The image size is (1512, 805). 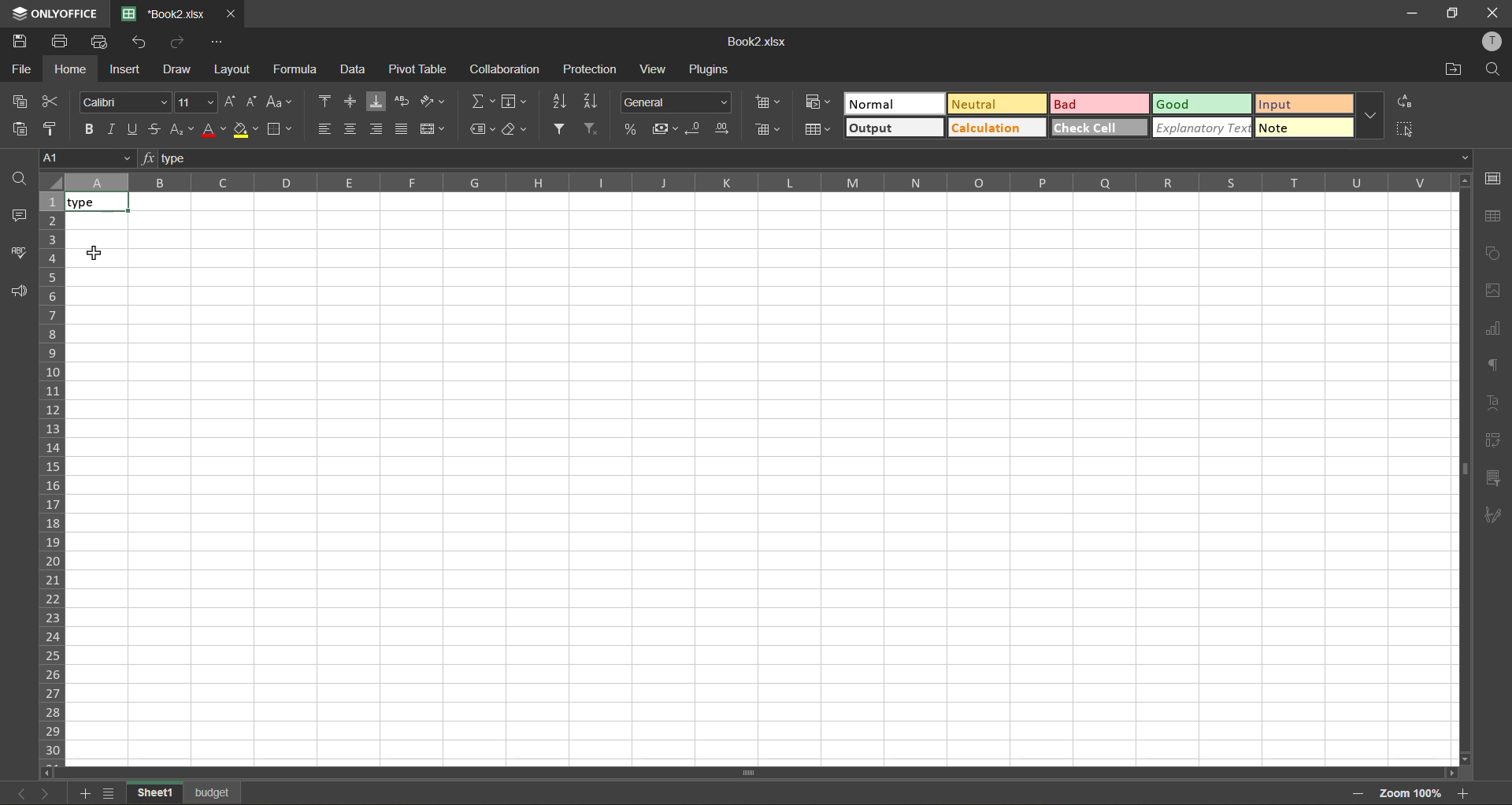 I want to click on feedback, so click(x=20, y=292).